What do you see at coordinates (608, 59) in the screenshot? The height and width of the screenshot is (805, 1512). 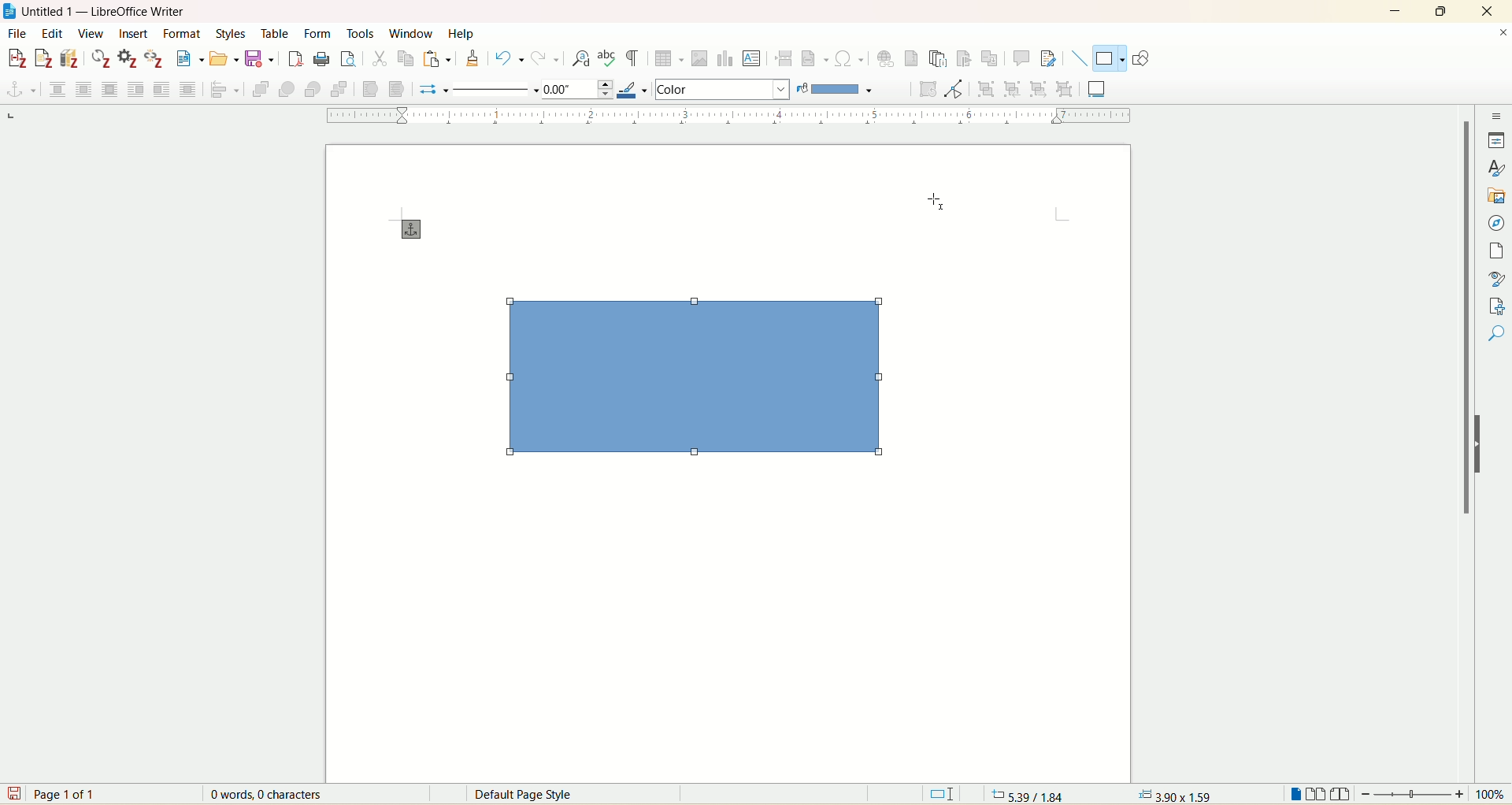 I see `spell check` at bounding box center [608, 59].